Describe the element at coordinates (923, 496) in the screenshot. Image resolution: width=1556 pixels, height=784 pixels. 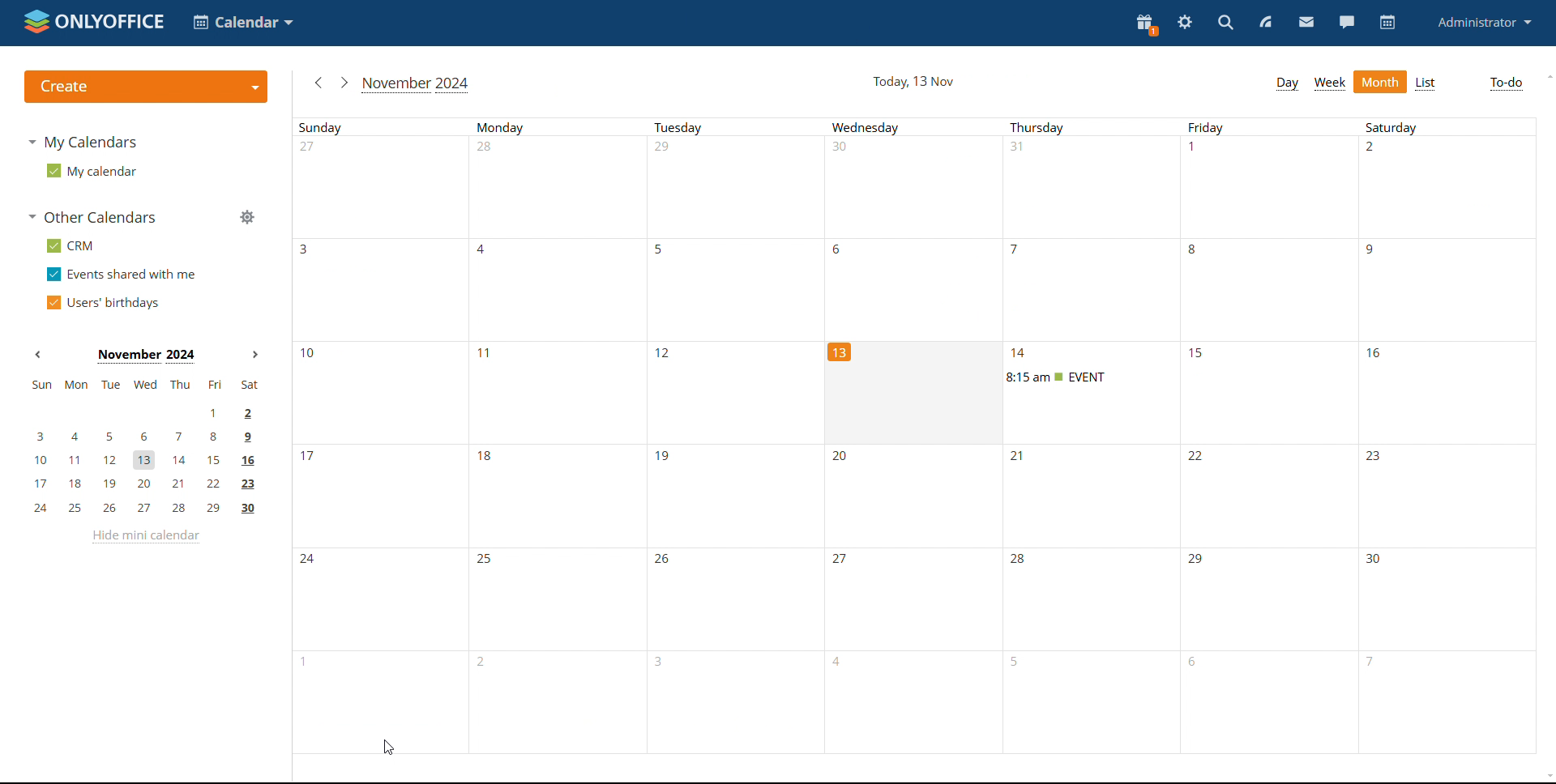
I see `unallocated time slots` at that location.